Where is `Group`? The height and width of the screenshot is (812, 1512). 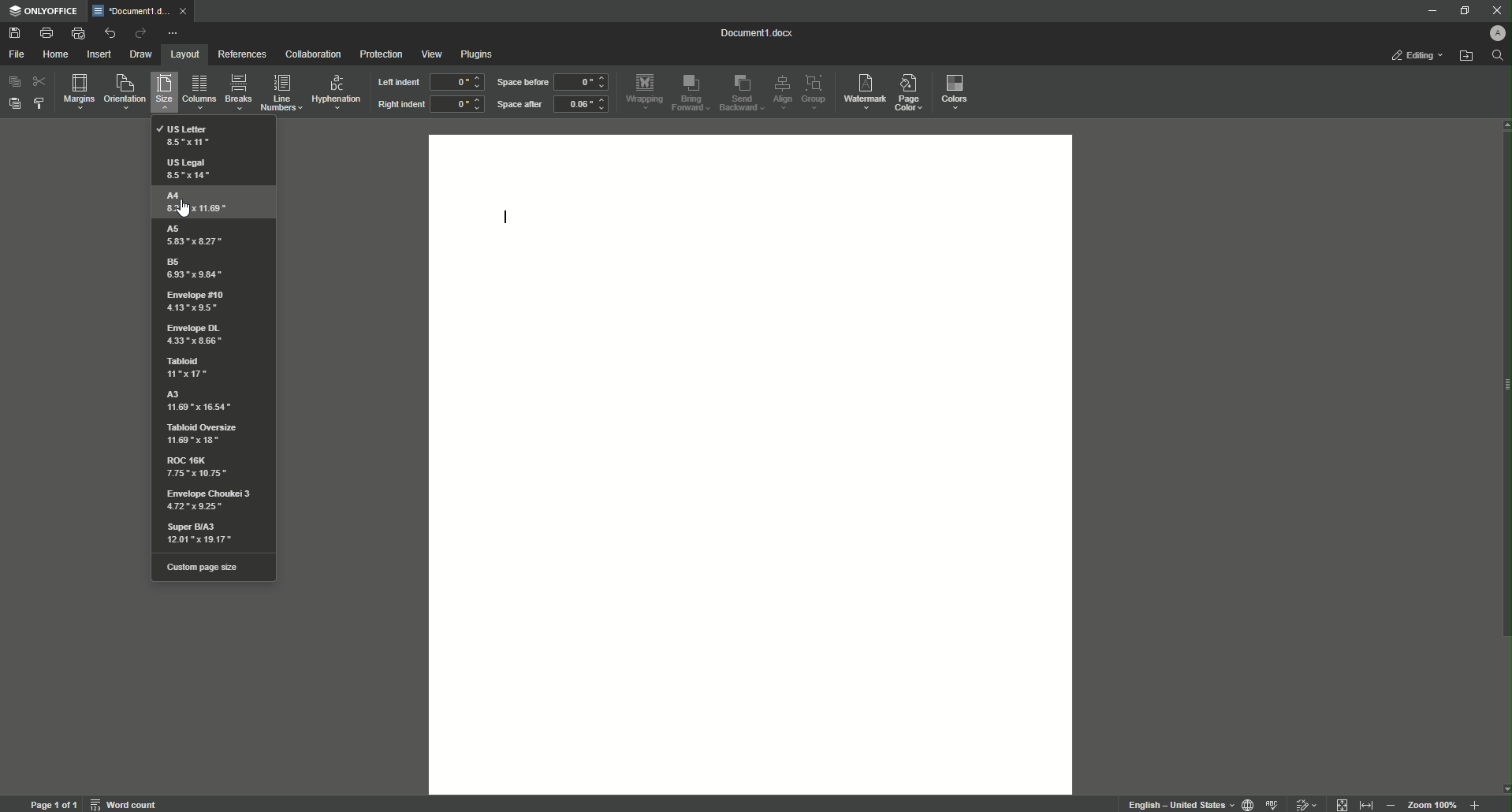 Group is located at coordinates (817, 92).